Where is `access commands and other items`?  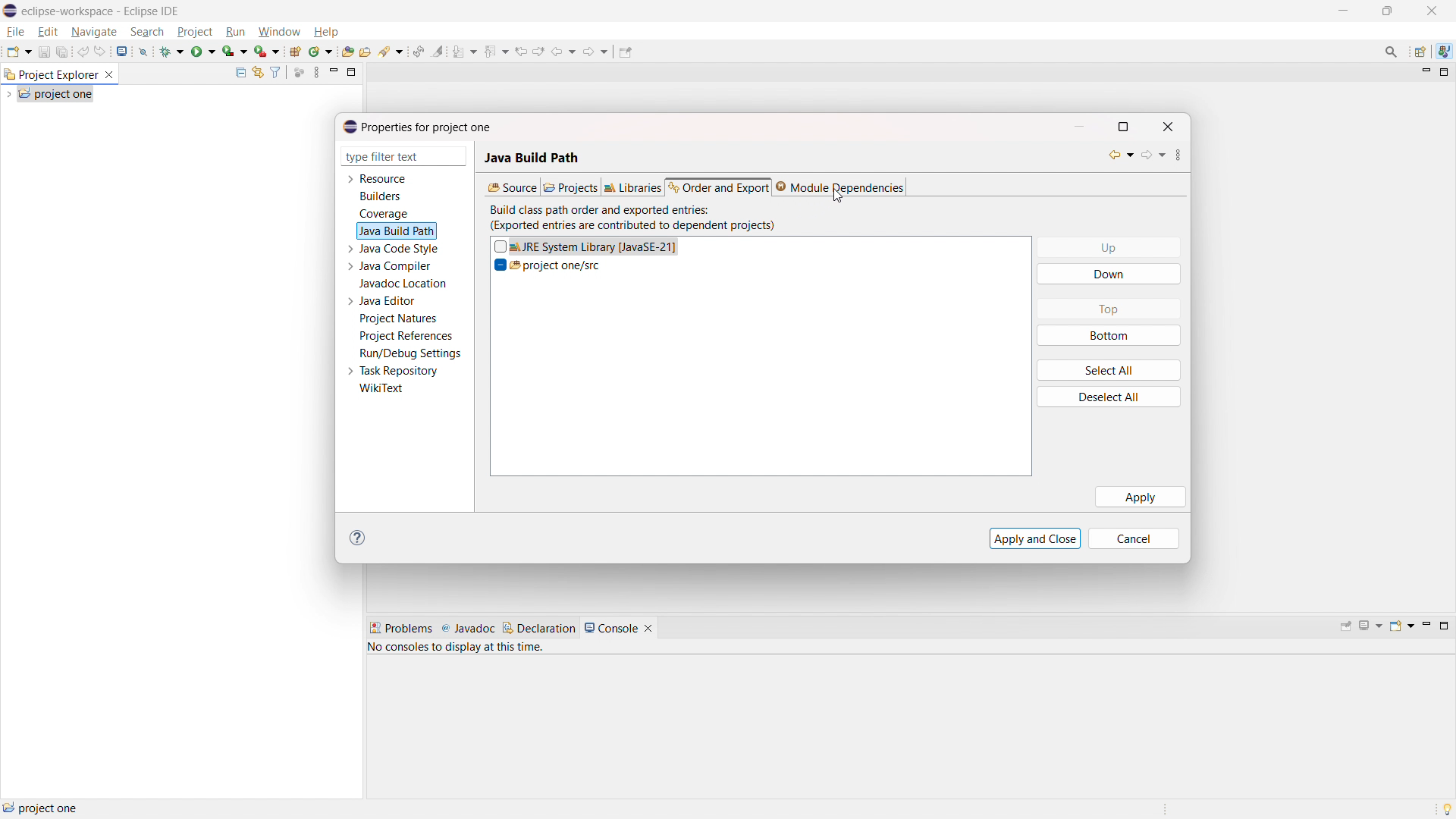 access commands and other items is located at coordinates (1392, 51).